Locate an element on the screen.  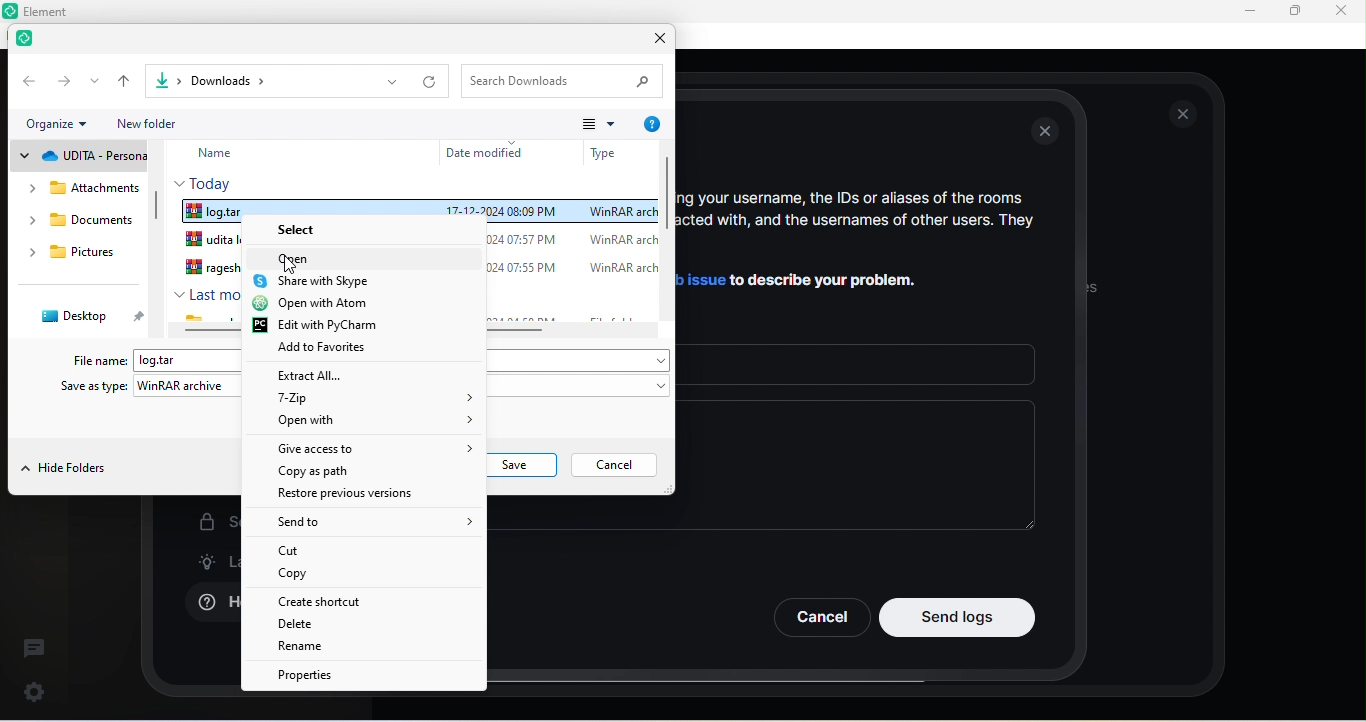
open with is located at coordinates (382, 424).